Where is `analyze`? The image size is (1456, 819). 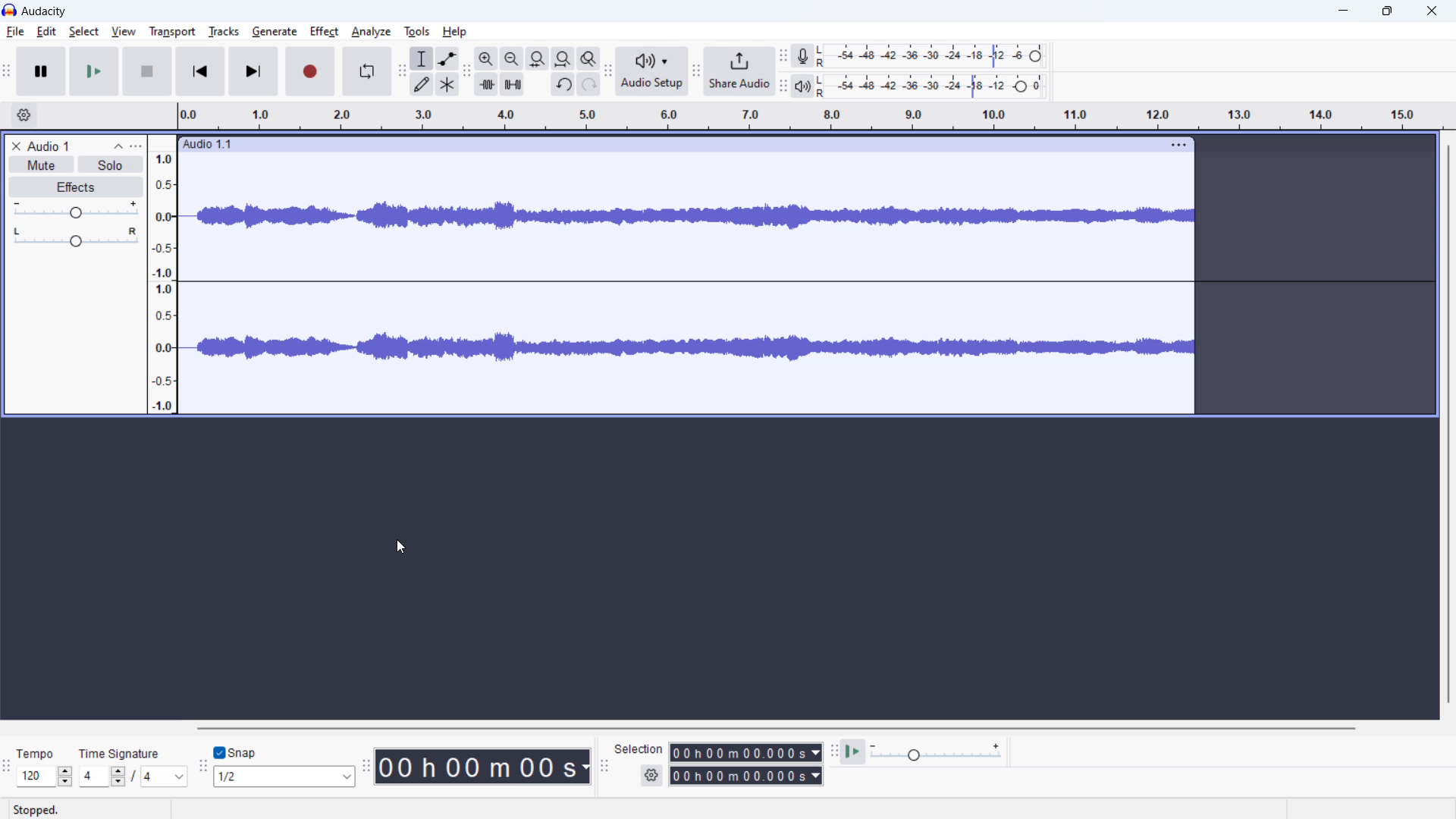 analyze is located at coordinates (371, 32).